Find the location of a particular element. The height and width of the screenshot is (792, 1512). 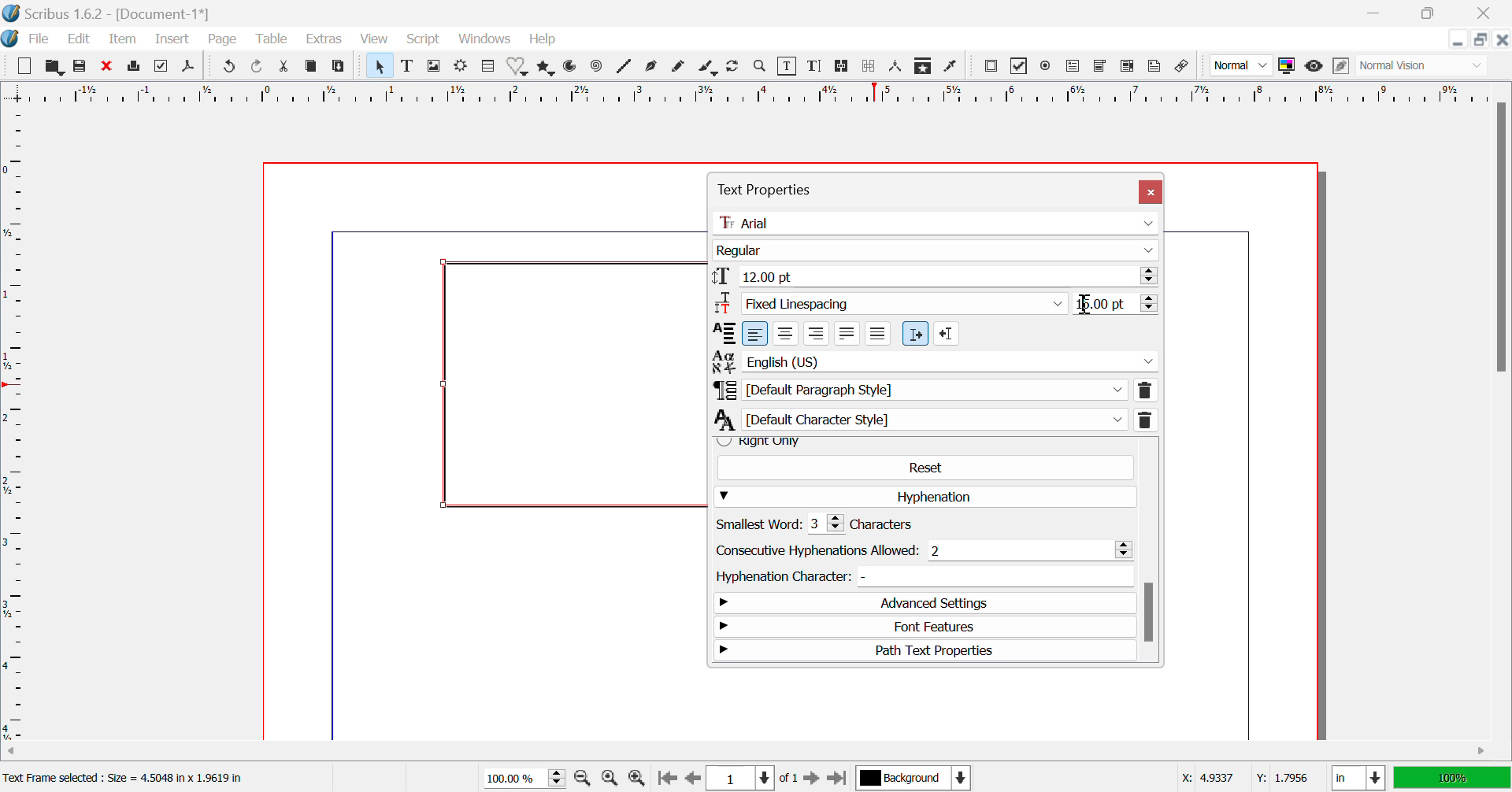

Extras is located at coordinates (323, 39).